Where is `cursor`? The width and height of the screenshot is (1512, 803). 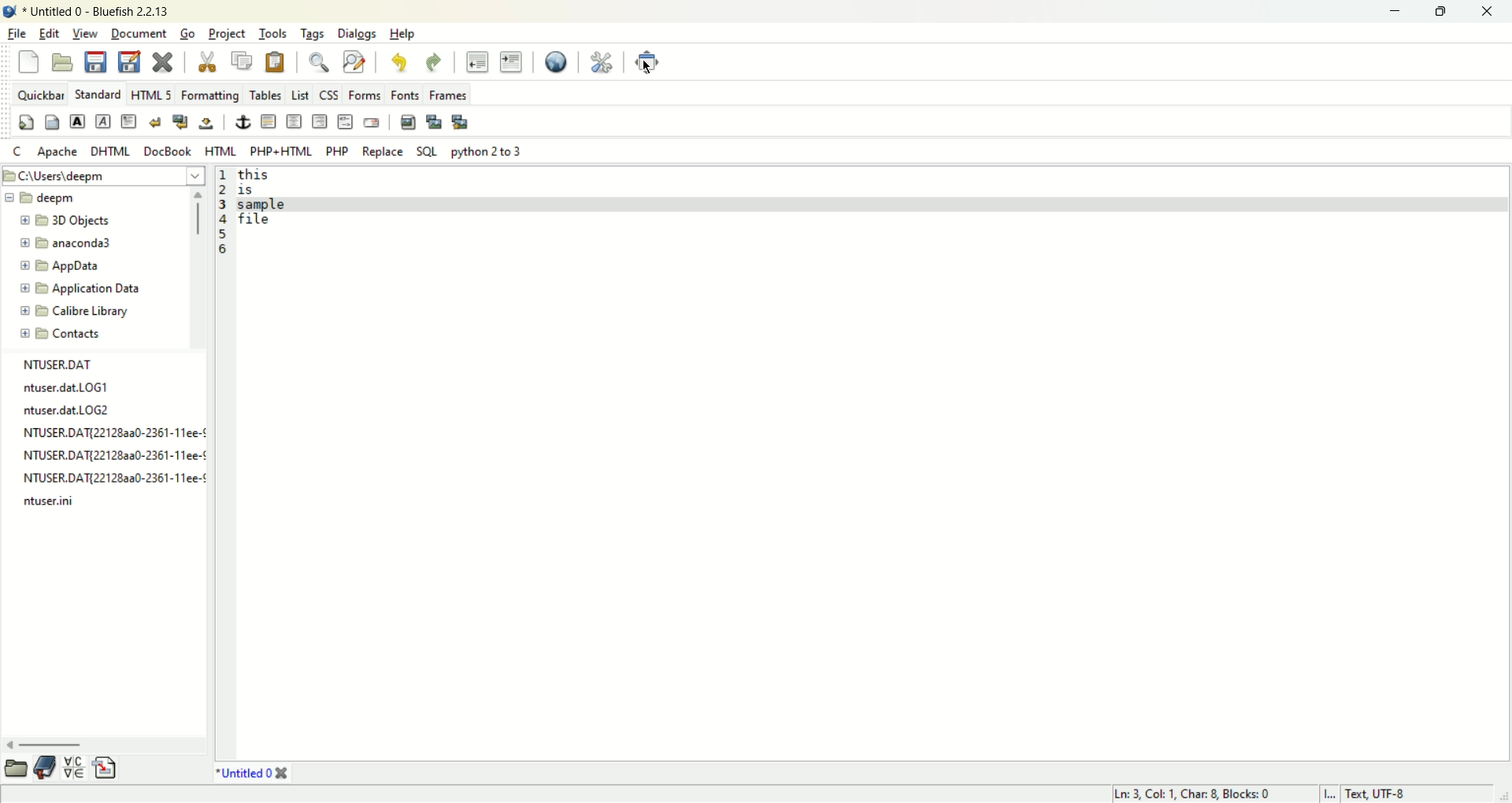 cursor is located at coordinates (655, 71).